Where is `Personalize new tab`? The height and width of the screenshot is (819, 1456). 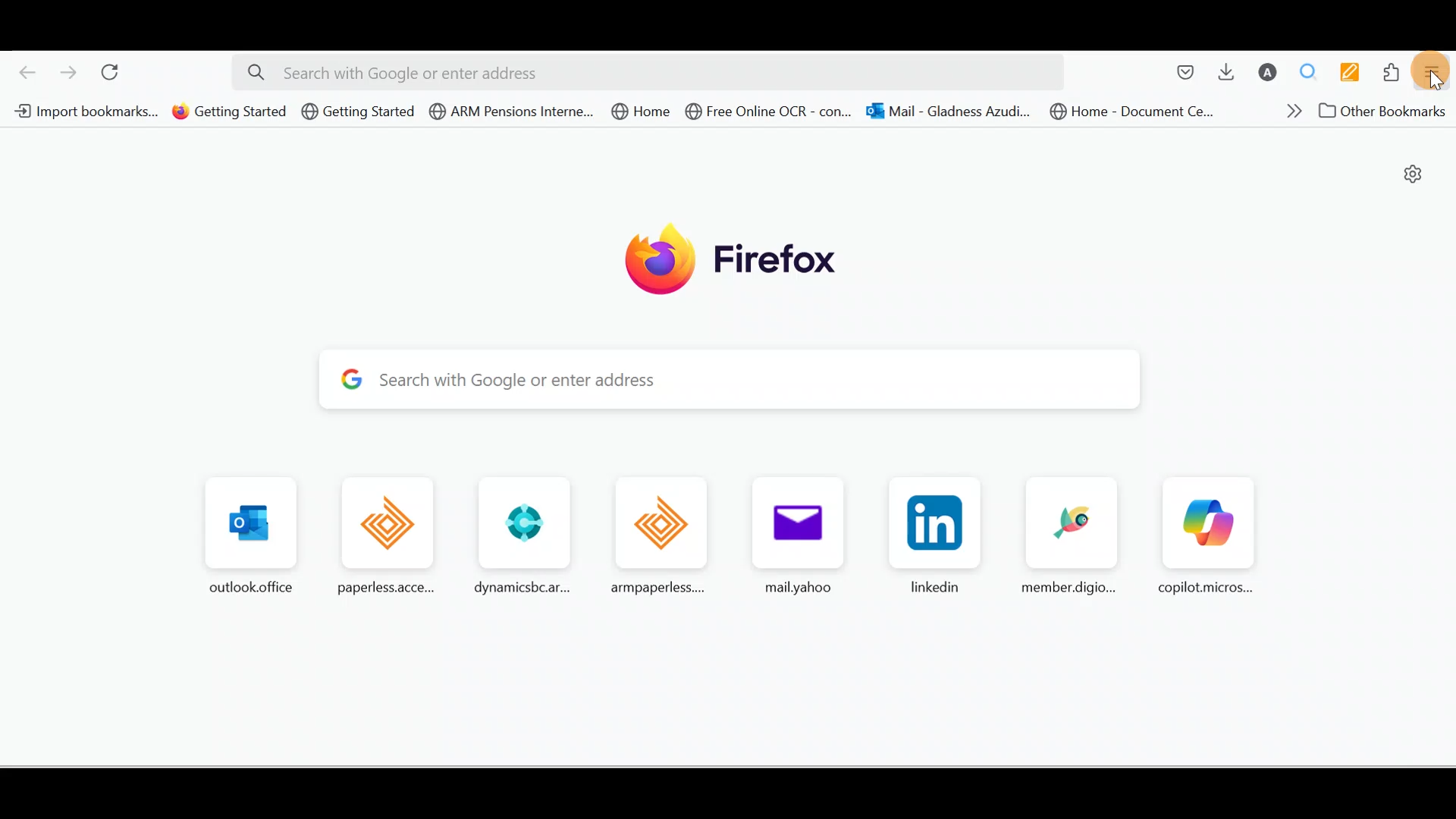 Personalize new tab is located at coordinates (1415, 178).